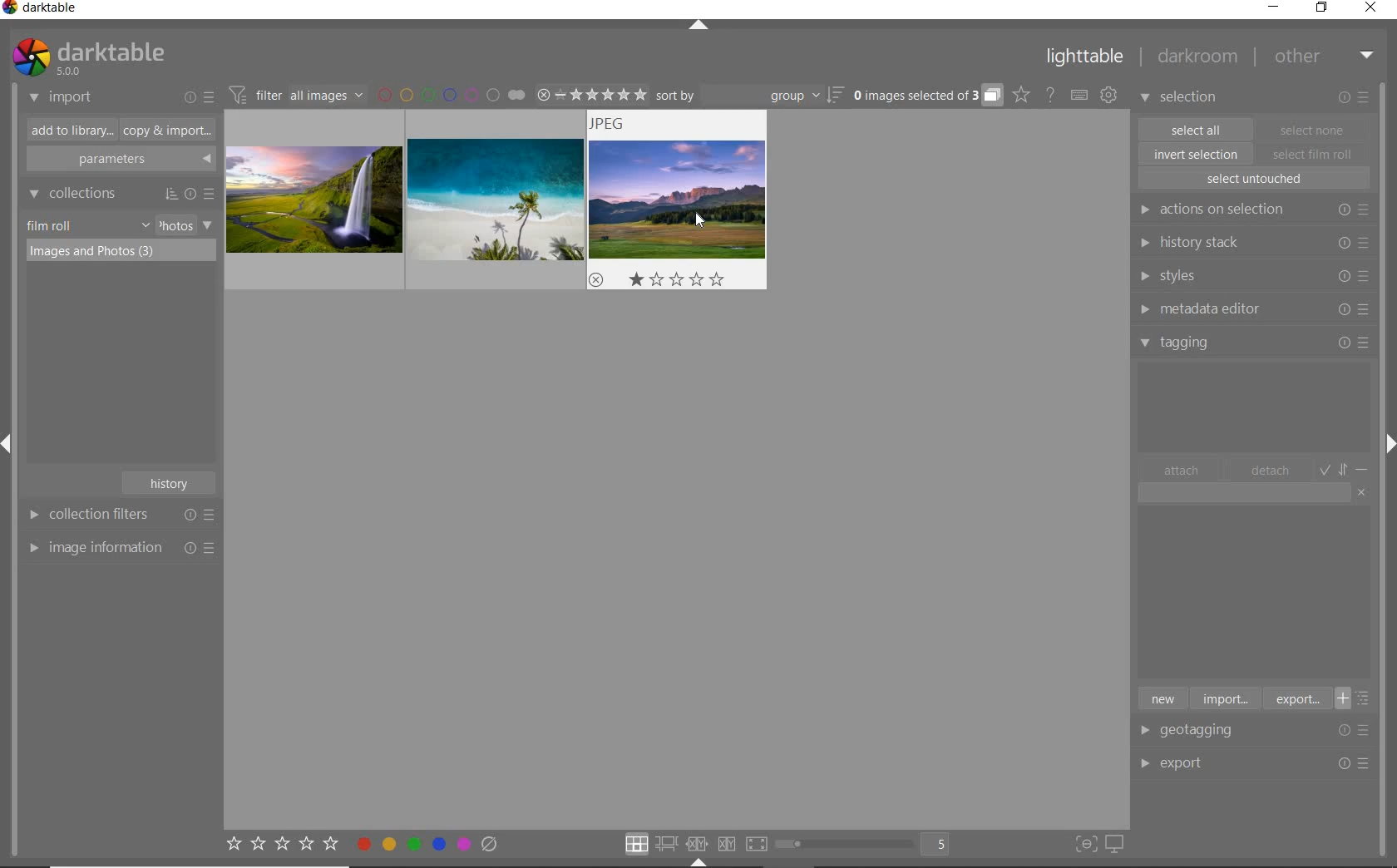 This screenshot has height=868, width=1397. I want to click on set display profile, so click(1114, 845).